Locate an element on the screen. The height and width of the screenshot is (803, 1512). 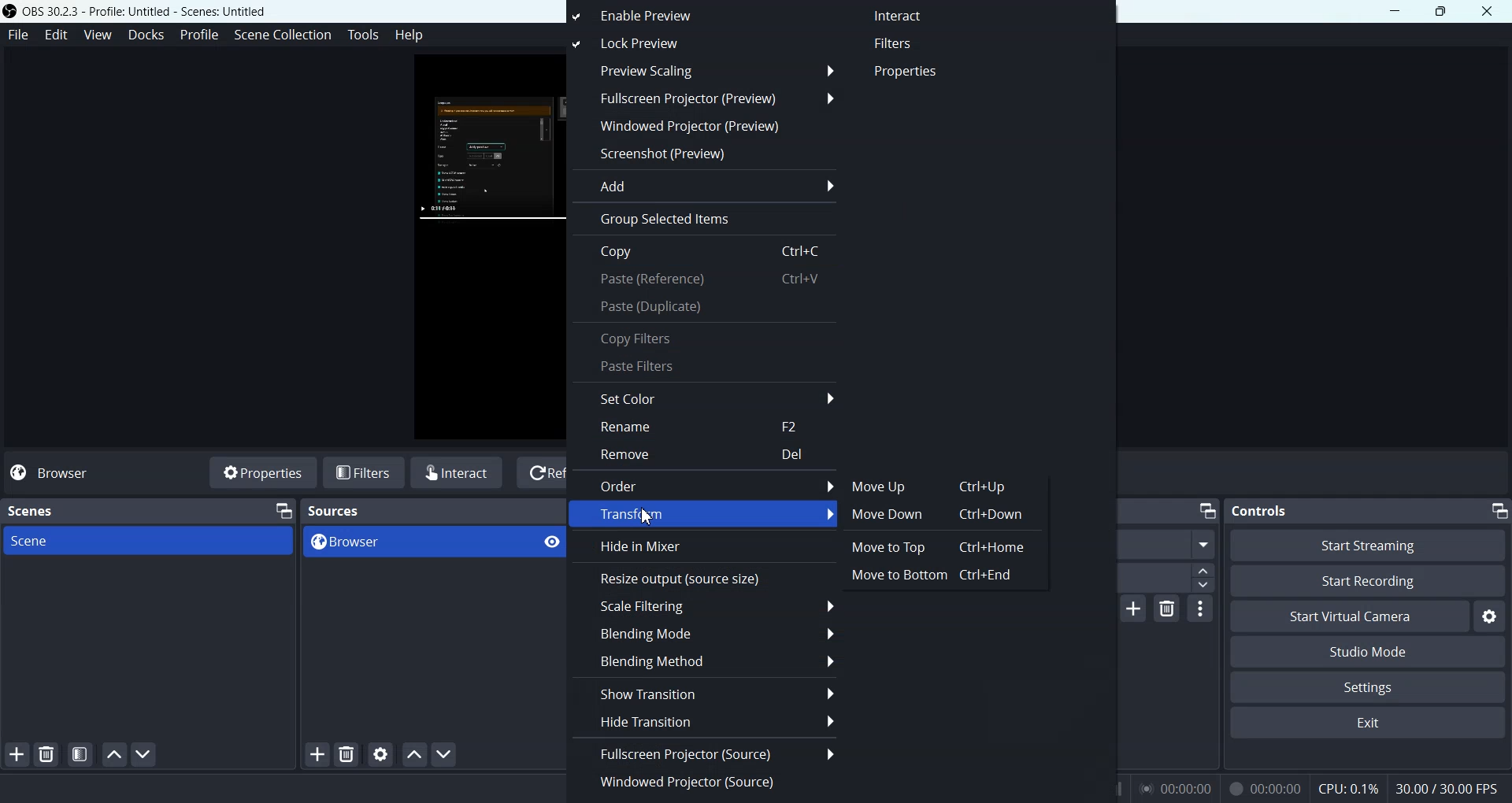
Open source Properties is located at coordinates (380, 754).